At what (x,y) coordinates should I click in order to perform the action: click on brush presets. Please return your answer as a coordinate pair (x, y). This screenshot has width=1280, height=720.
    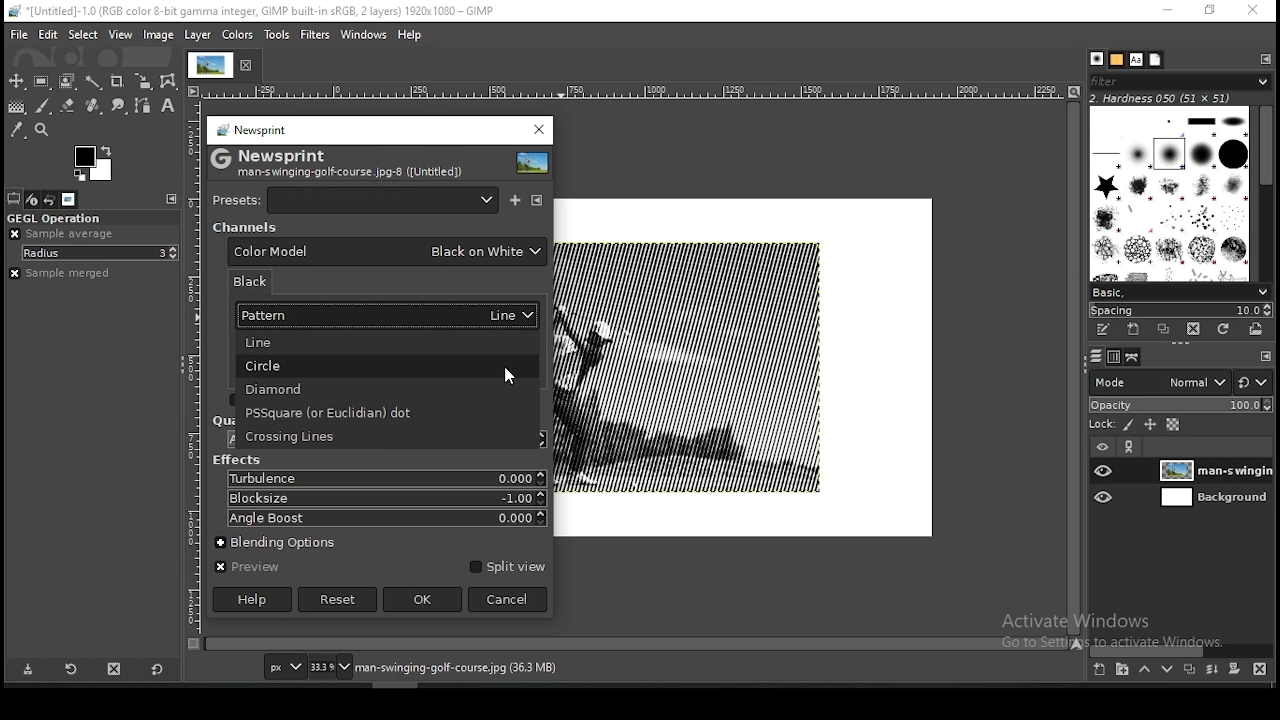
    Looking at the image, I should click on (1177, 291).